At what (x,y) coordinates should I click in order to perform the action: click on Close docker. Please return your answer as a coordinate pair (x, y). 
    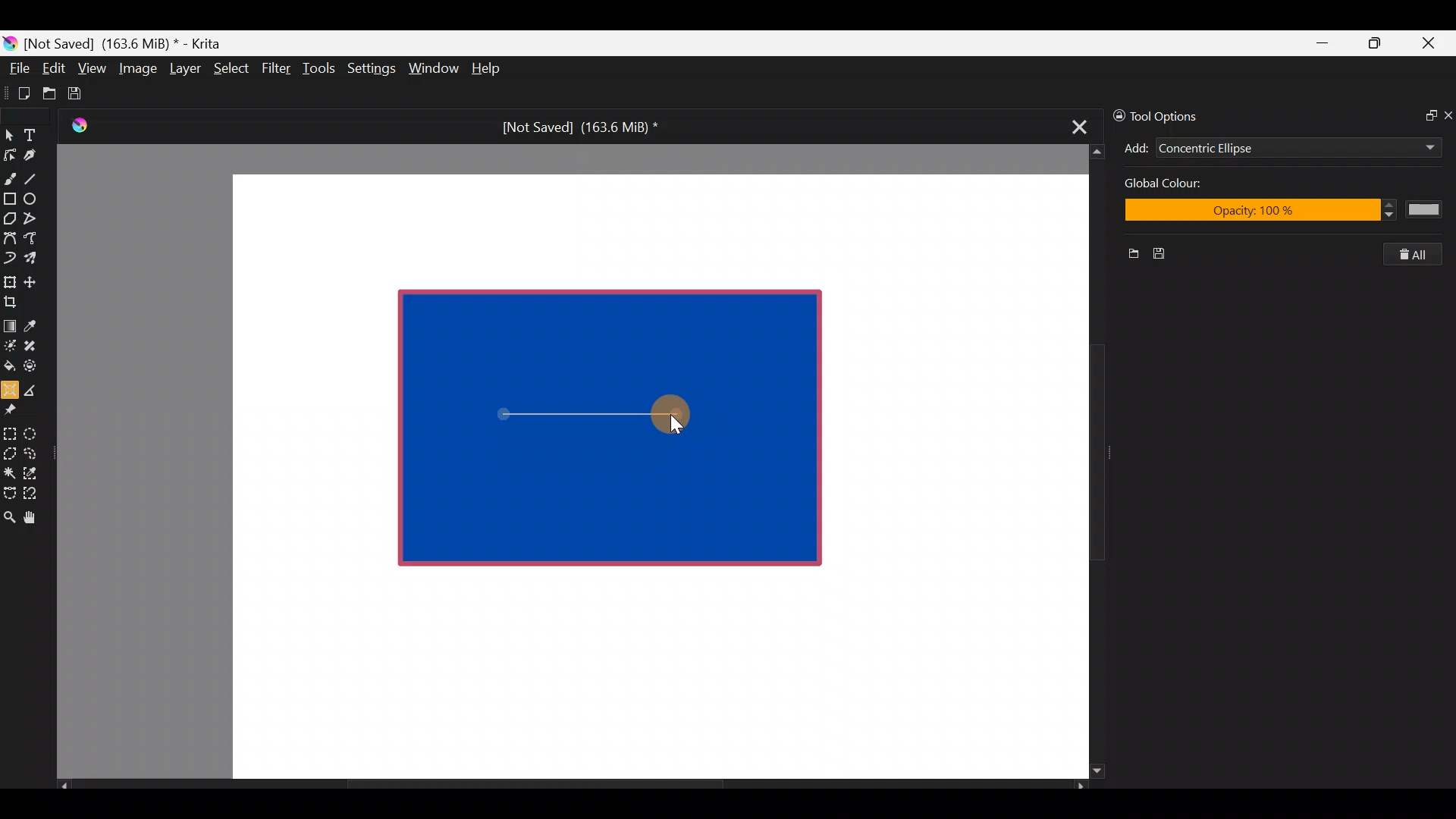
    Looking at the image, I should click on (1447, 115).